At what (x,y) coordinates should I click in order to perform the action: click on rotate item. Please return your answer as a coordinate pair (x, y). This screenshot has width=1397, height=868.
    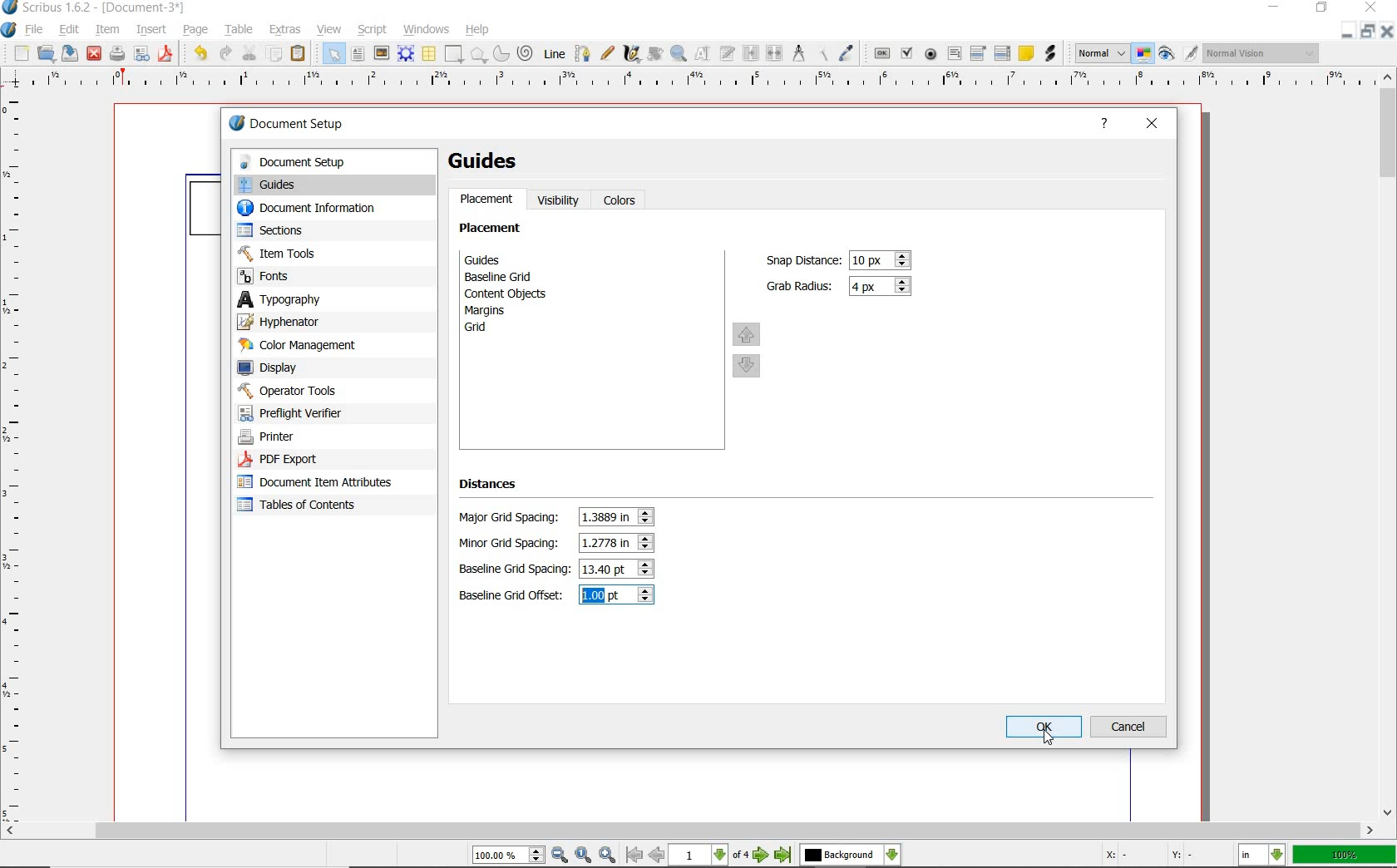
    Looking at the image, I should click on (654, 55).